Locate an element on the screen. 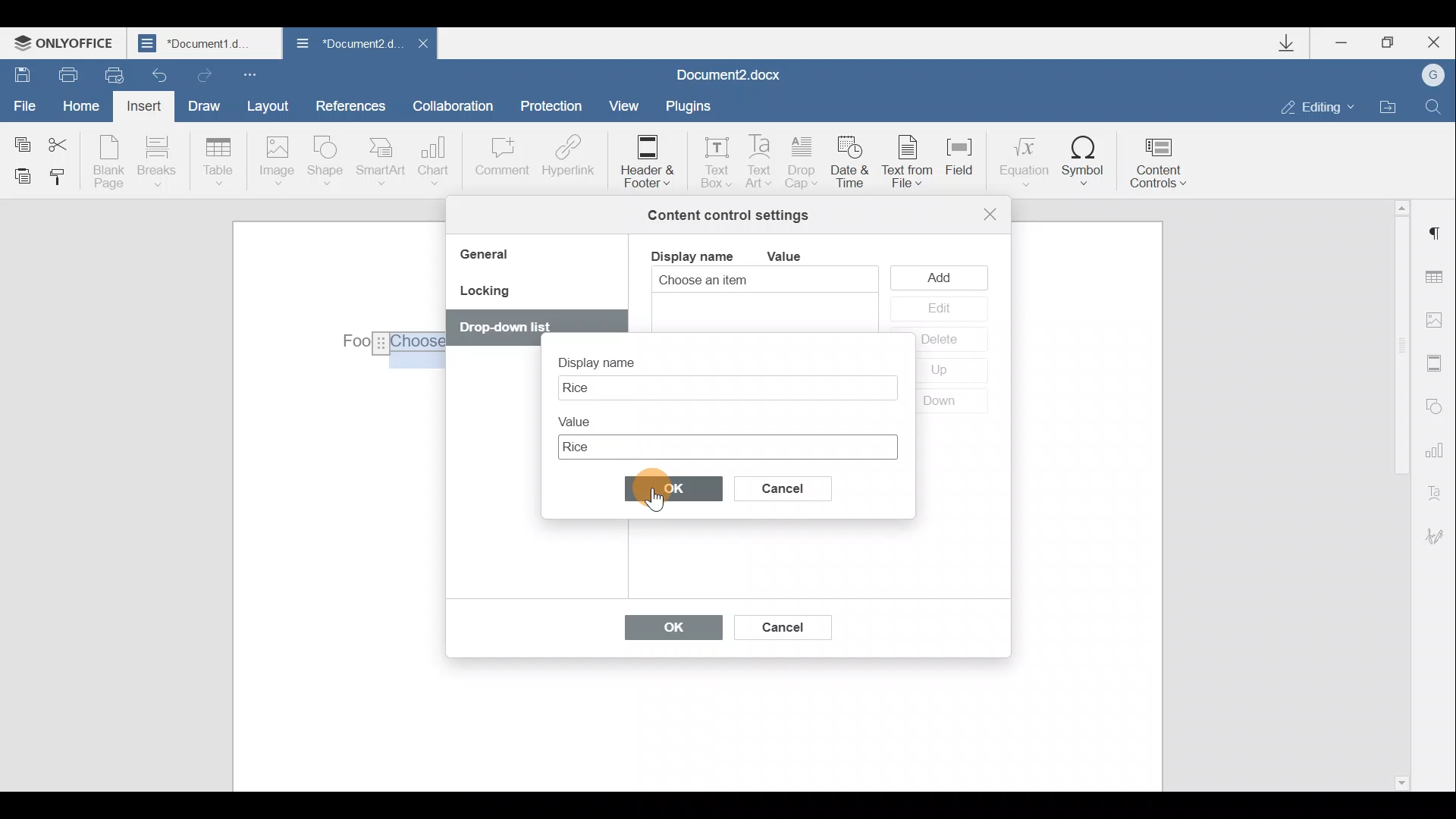 The width and height of the screenshot is (1456, 819). Text box is located at coordinates (725, 388).